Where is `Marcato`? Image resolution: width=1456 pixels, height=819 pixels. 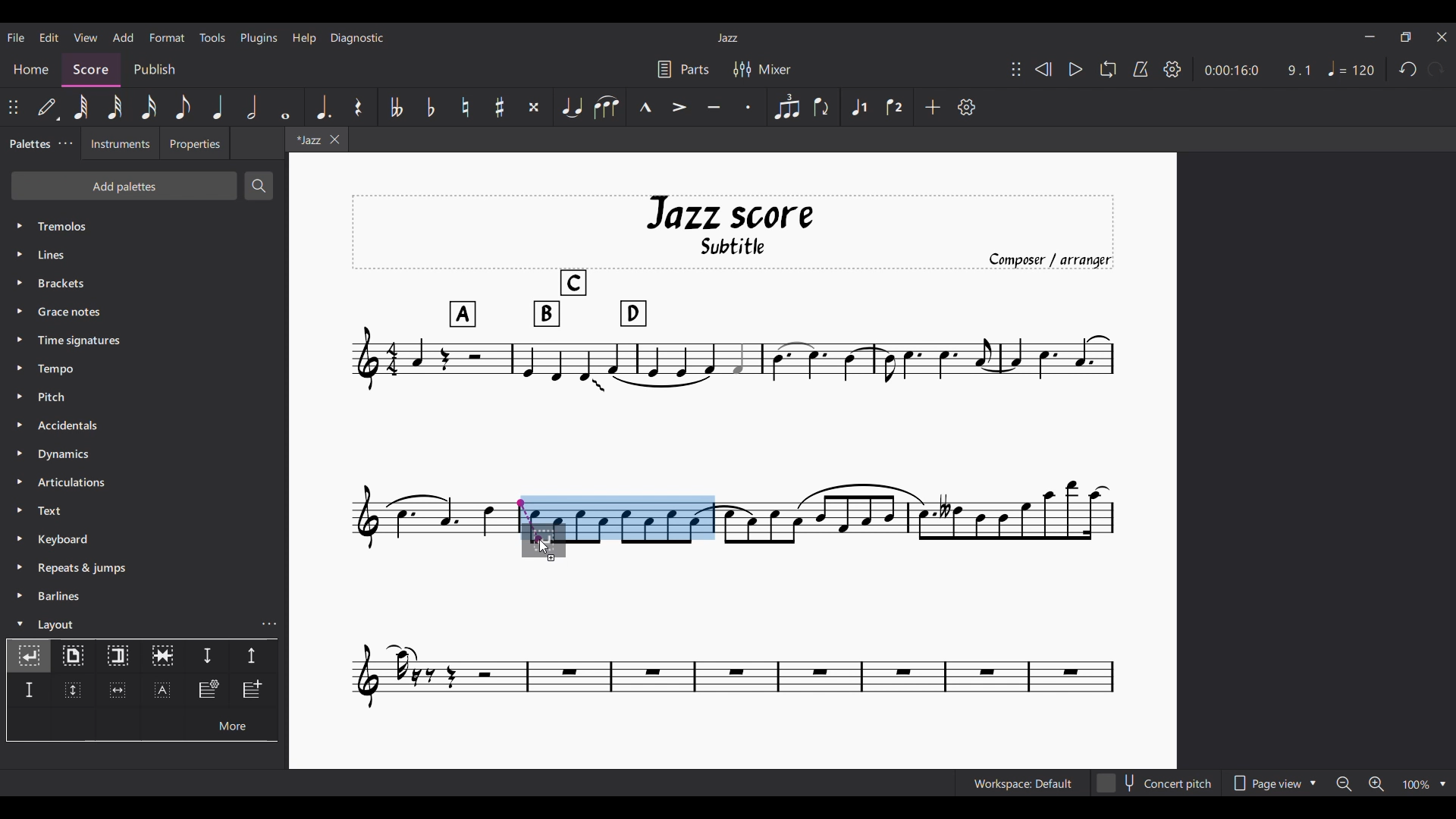
Marcato is located at coordinates (645, 107).